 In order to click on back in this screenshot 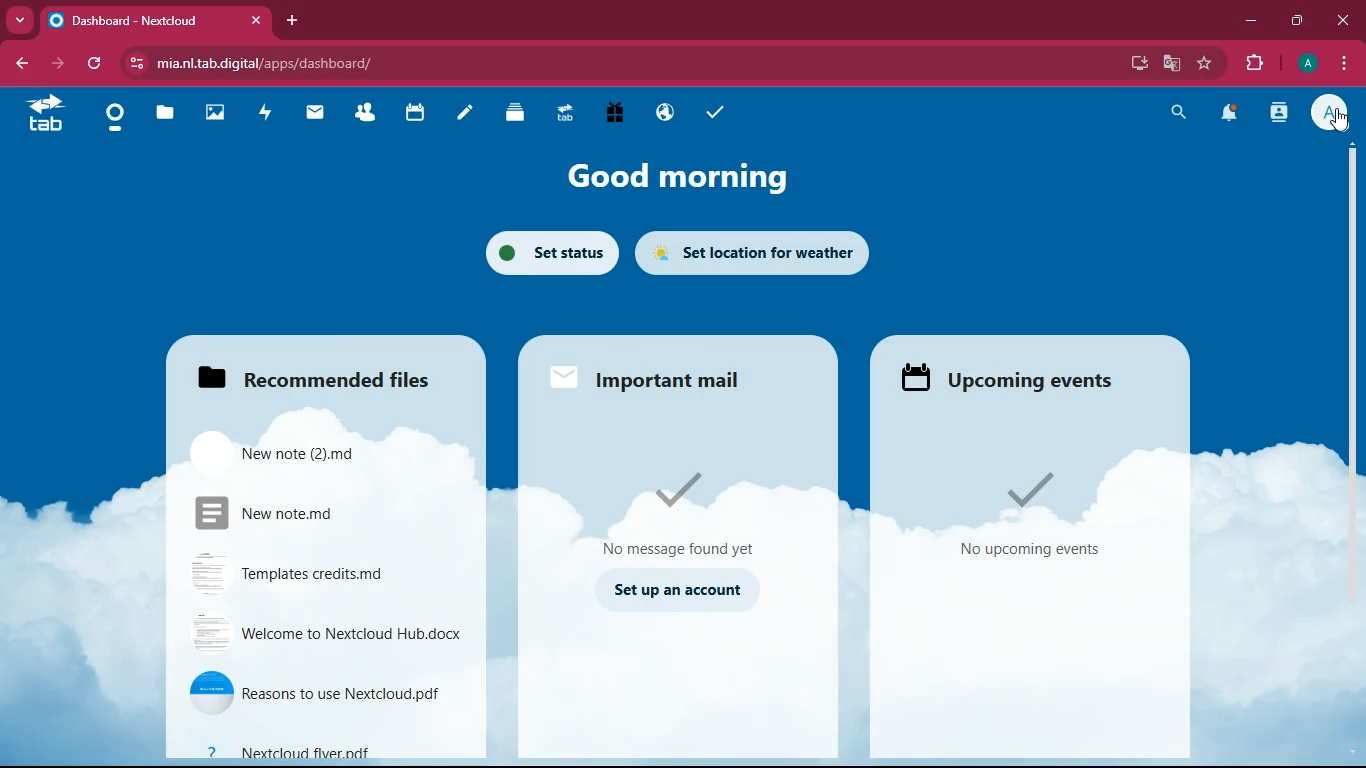, I will do `click(21, 65)`.